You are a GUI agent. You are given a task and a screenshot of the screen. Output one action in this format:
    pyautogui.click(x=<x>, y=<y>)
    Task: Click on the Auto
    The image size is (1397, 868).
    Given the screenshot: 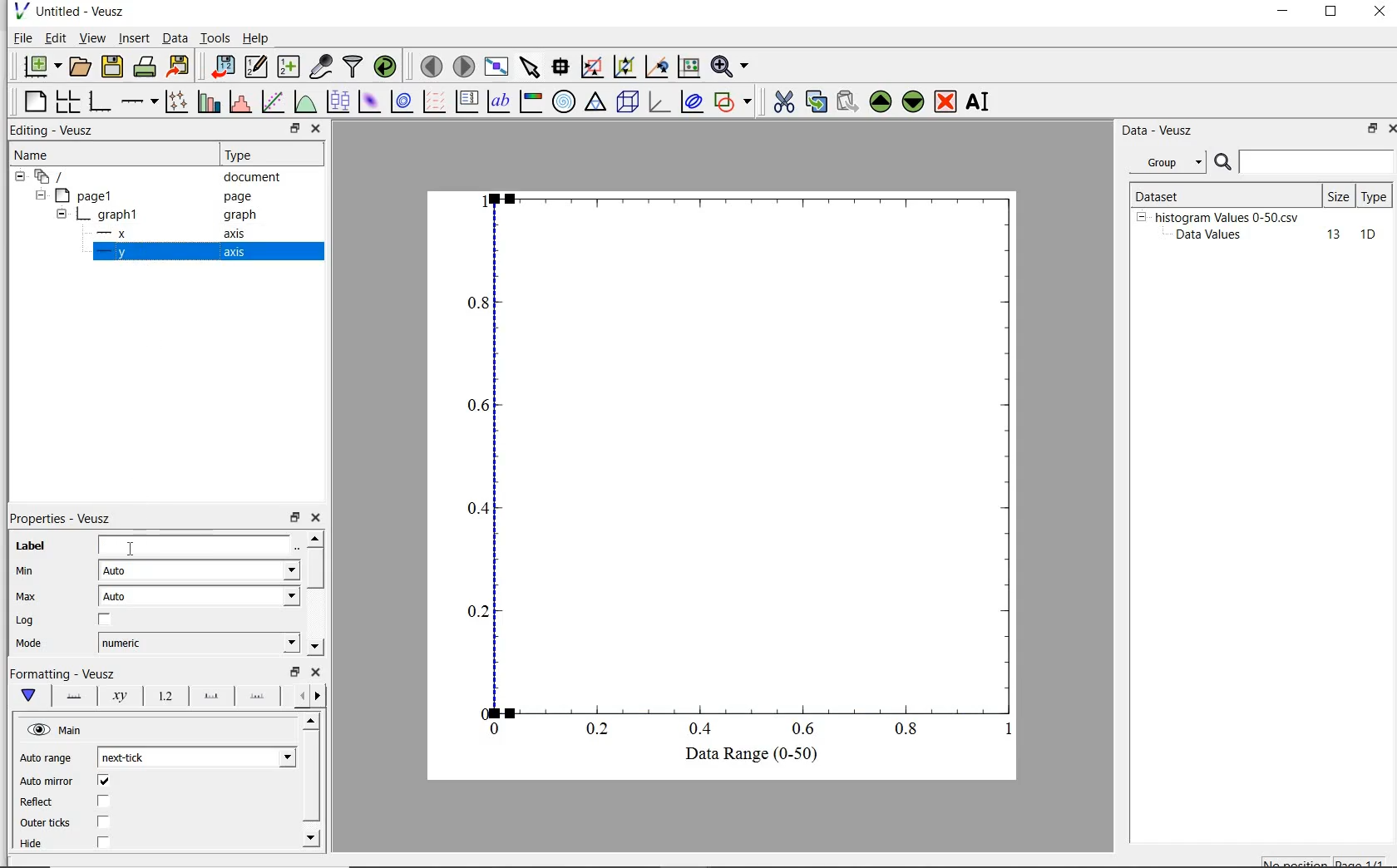 What is the action you would take?
    pyautogui.click(x=199, y=570)
    